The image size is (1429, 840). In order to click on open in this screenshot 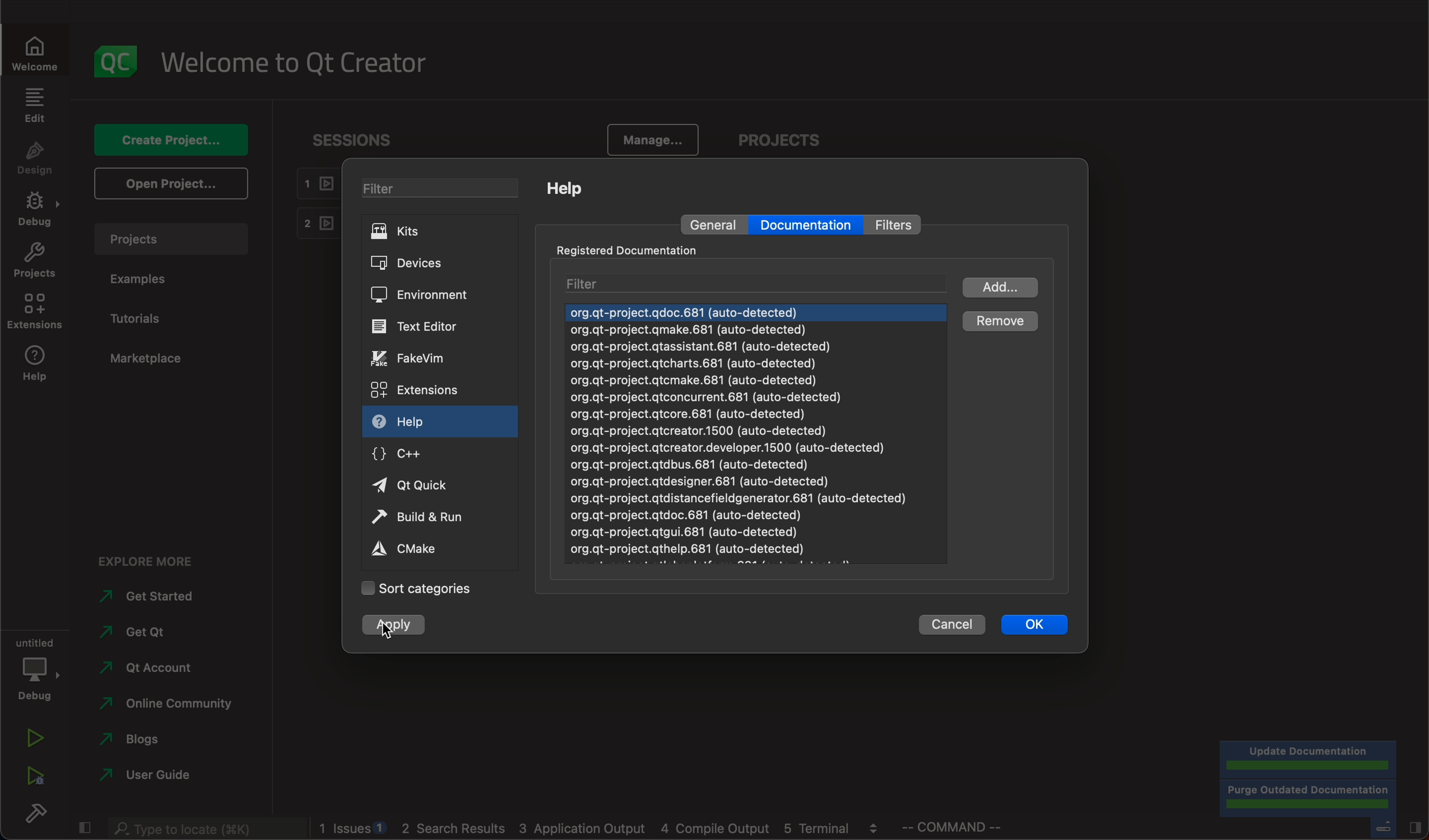, I will do `click(174, 182)`.